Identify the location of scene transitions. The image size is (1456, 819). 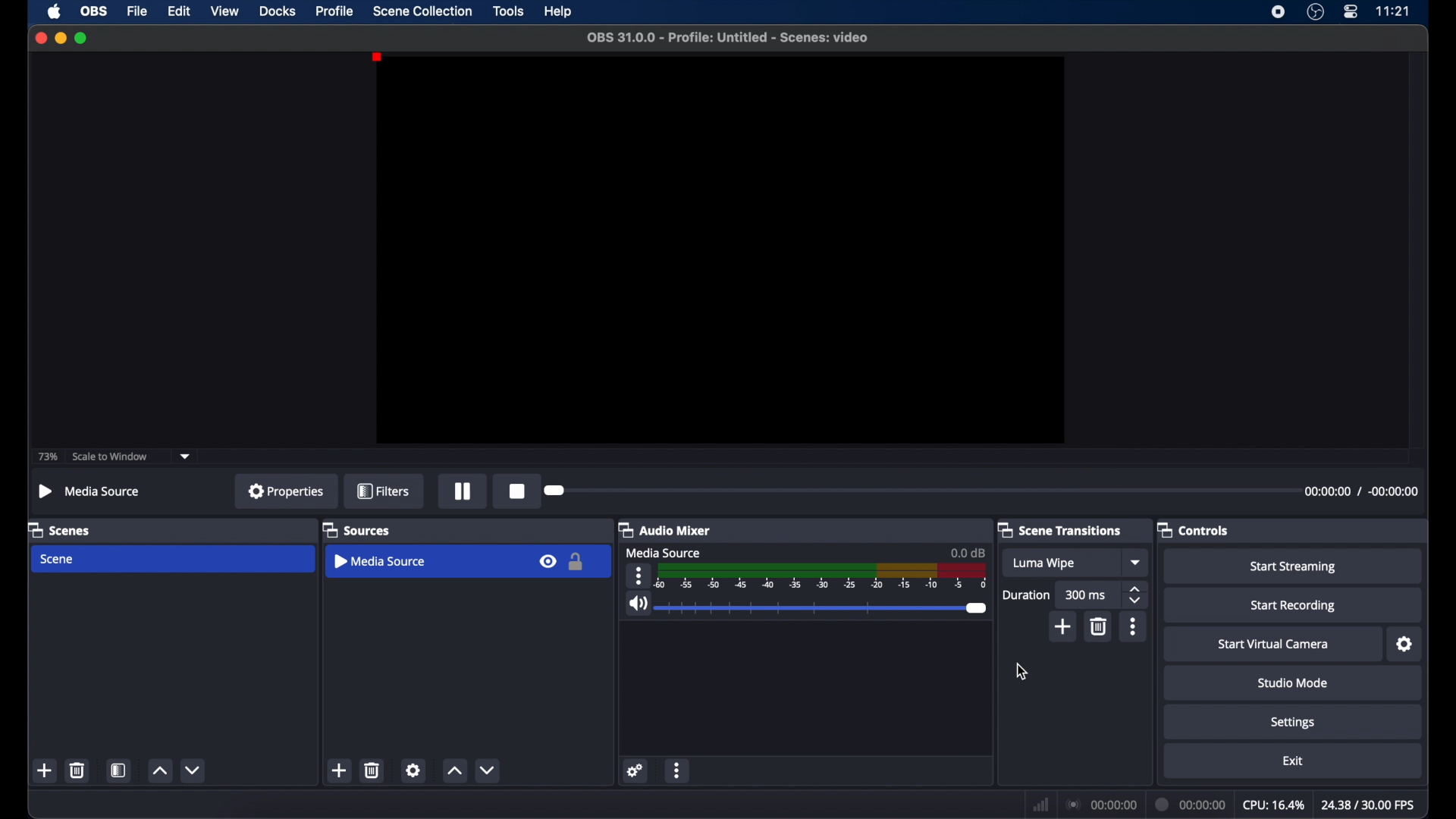
(1060, 529).